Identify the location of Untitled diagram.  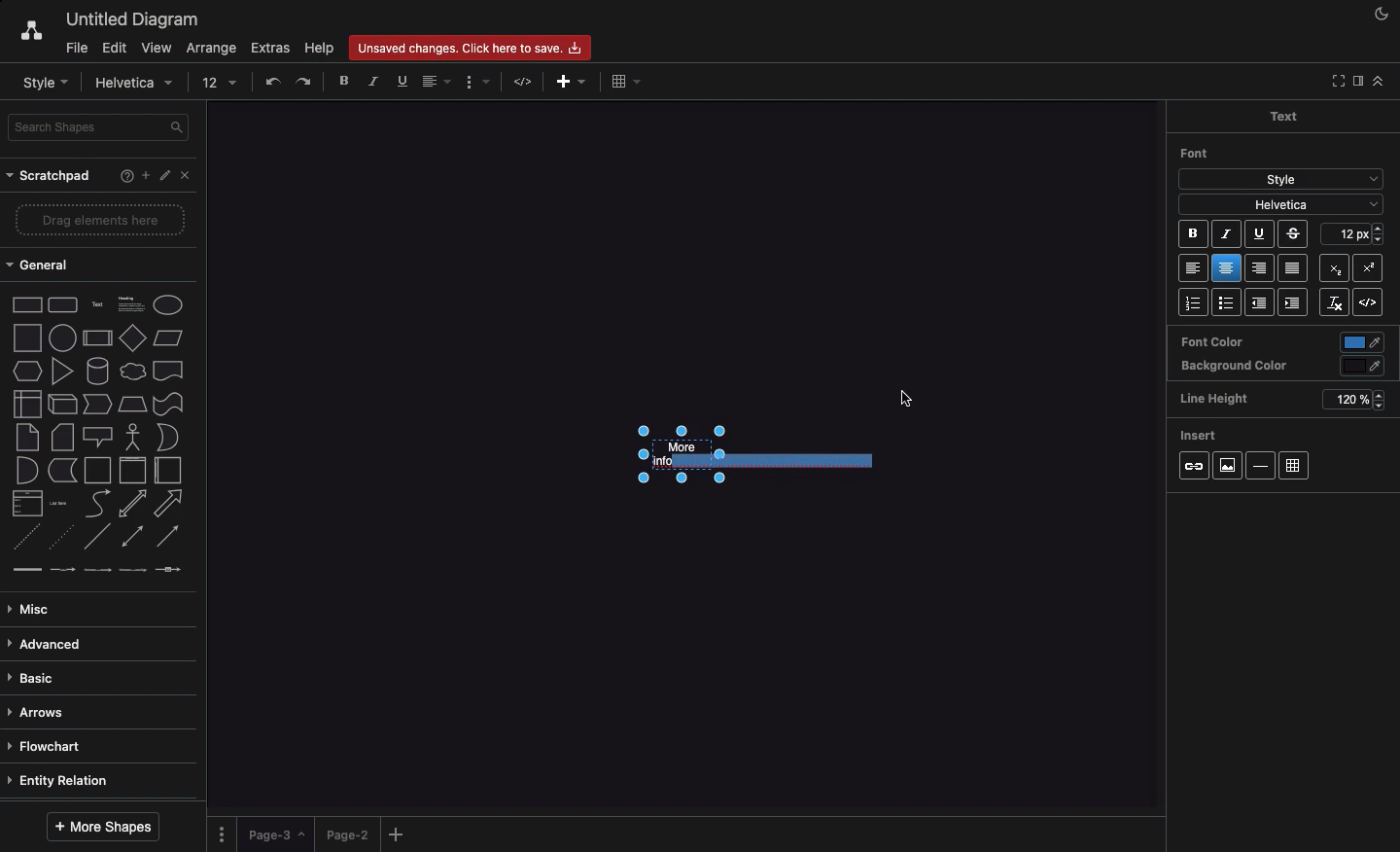
(126, 19).